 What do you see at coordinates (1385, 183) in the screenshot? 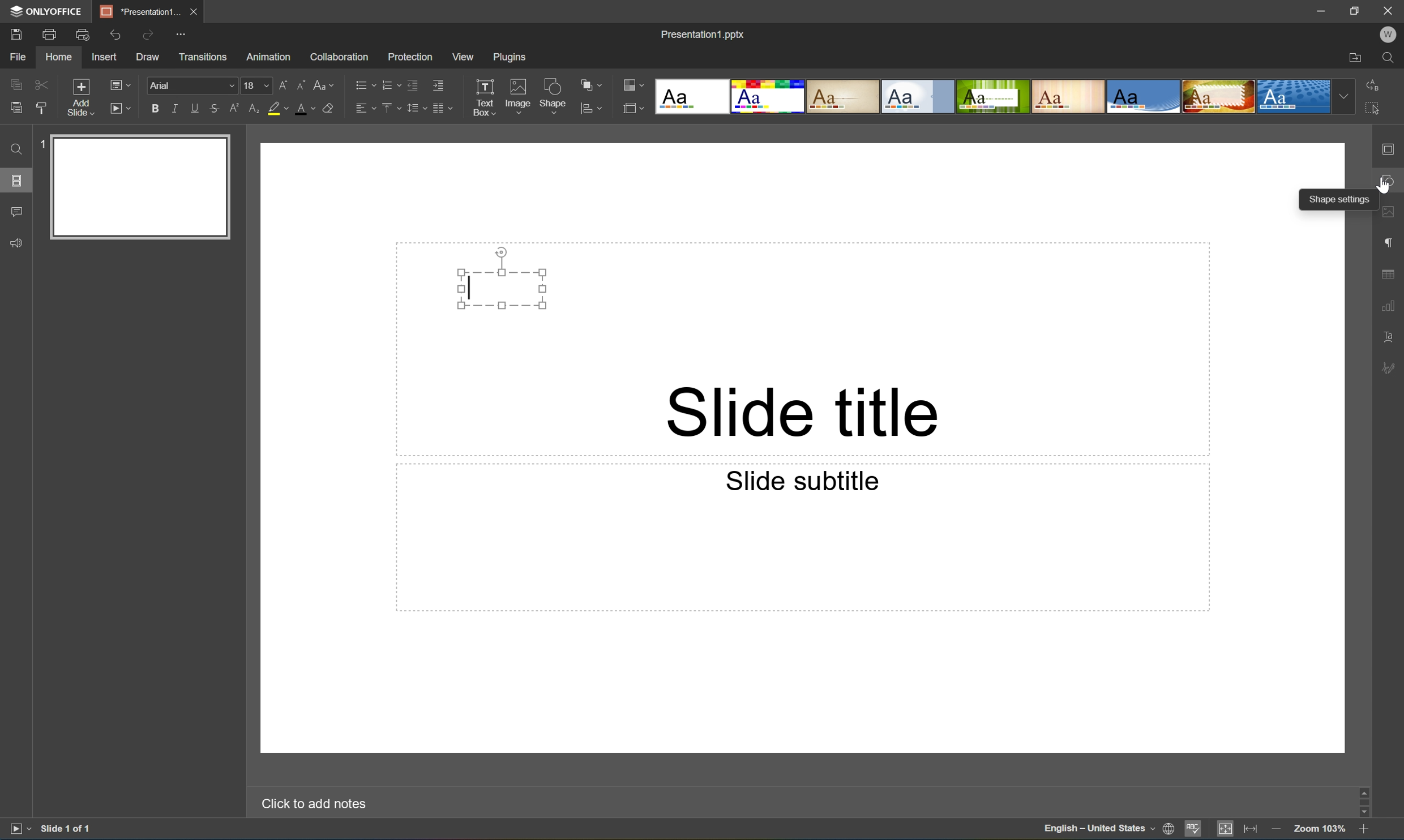
I see `Cursor` at bounding box center [1385, 183].